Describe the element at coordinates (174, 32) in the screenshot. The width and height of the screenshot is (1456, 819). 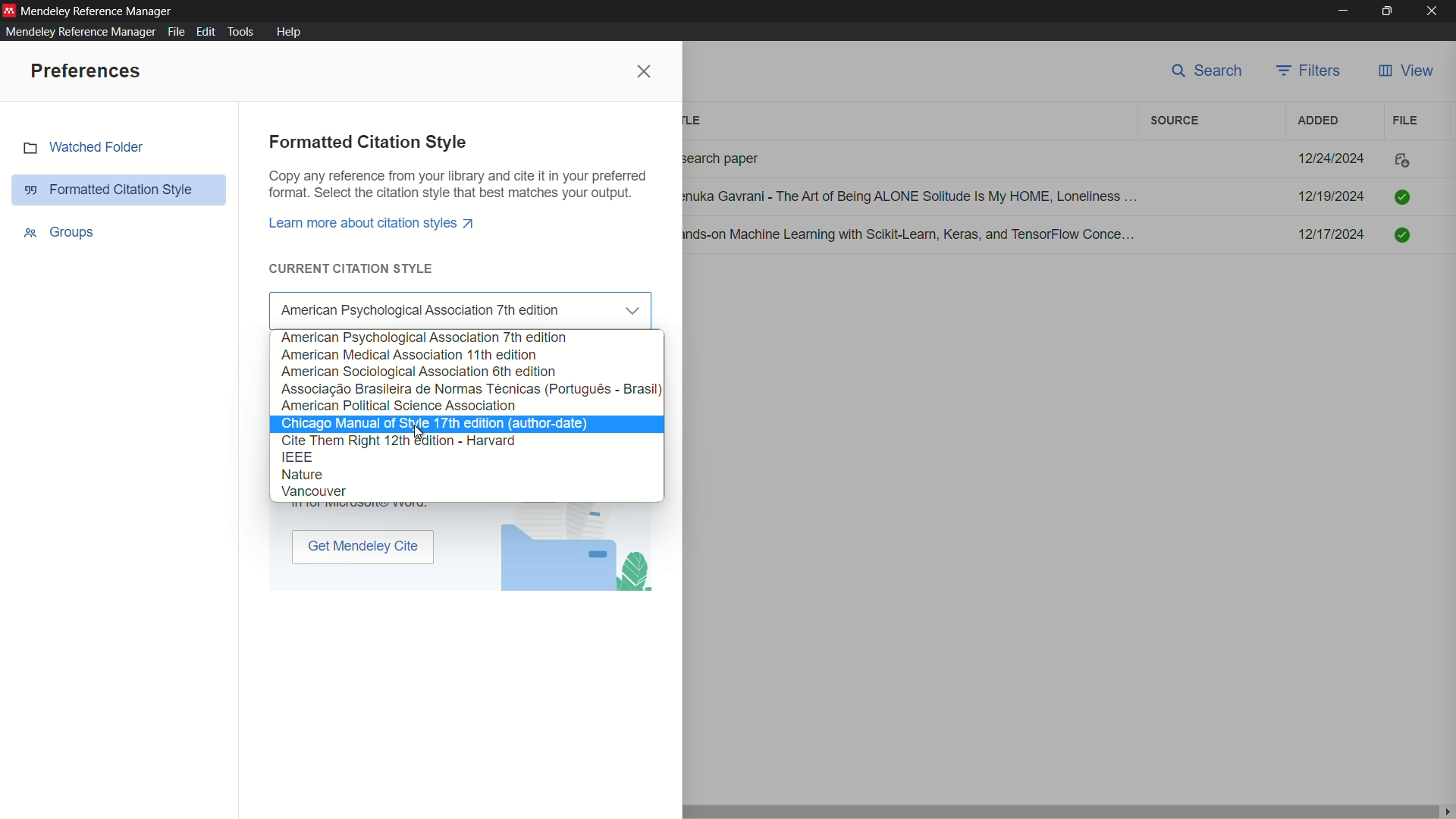
I see `file menu` at that location.